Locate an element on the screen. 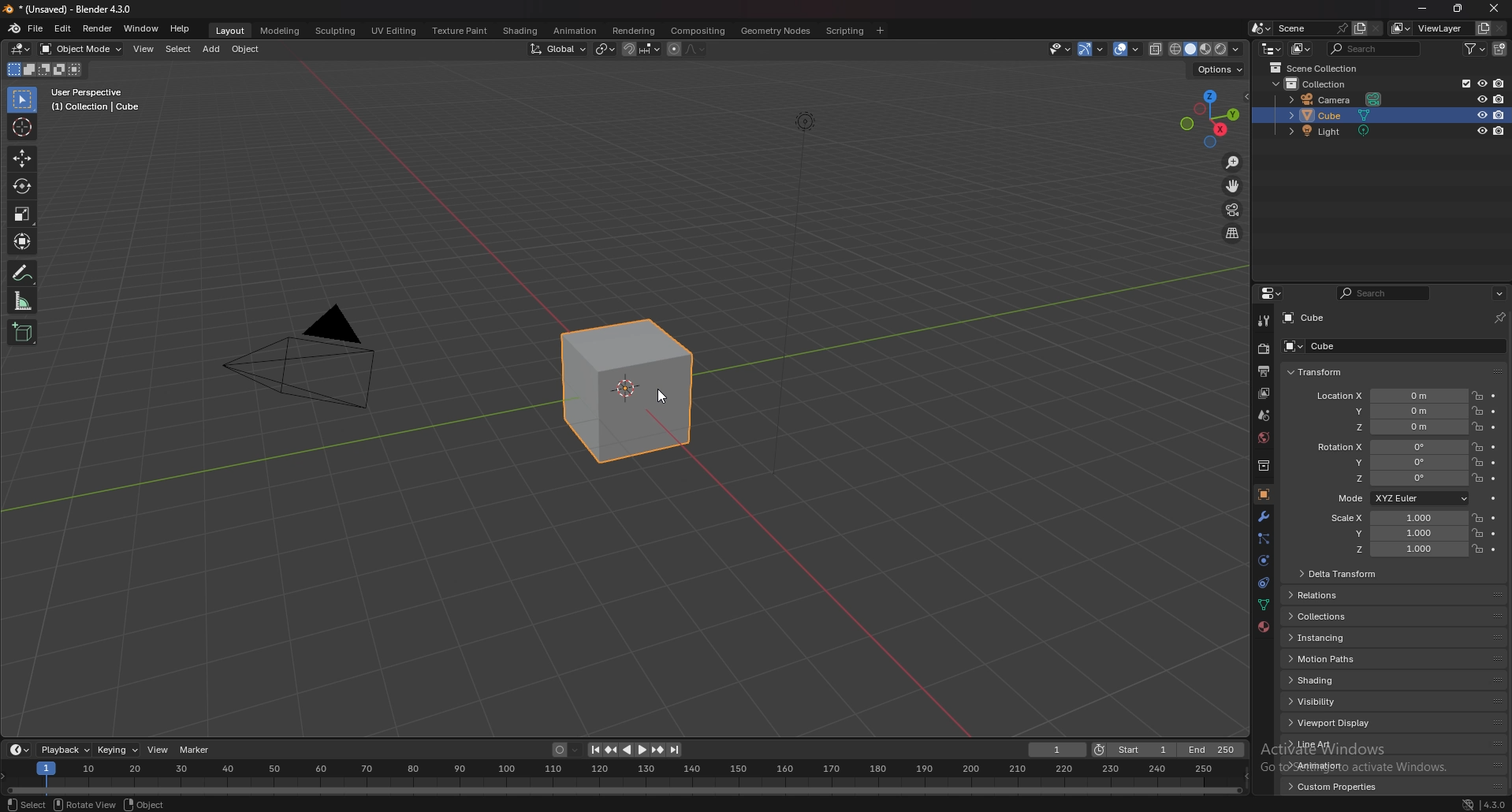 Image resolution: width=1512 pixels, height=812 pixels. delete scene is located at coordinates (1376, 28).